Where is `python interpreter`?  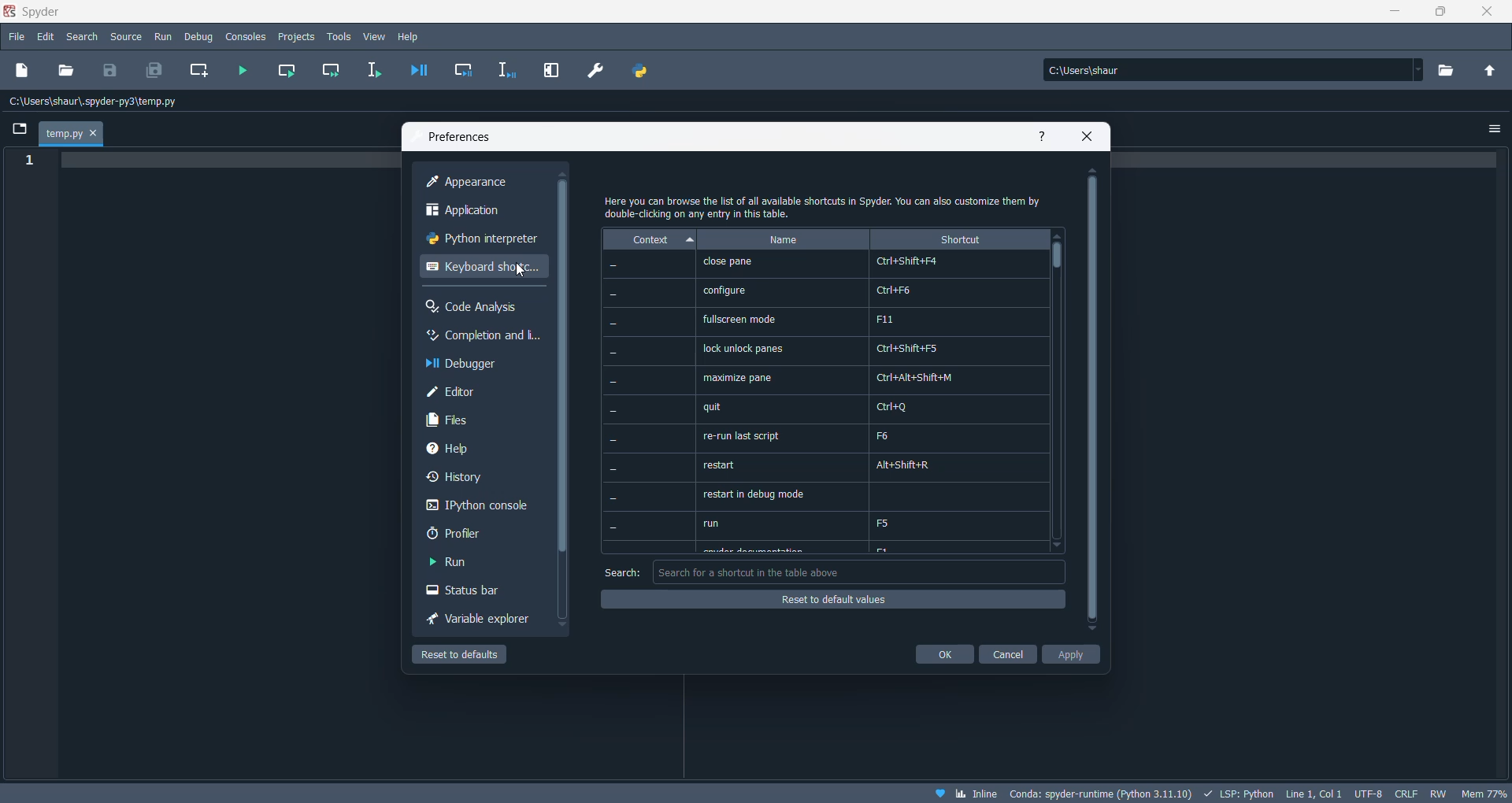
python interpreter is located at coordinates (479, 242).